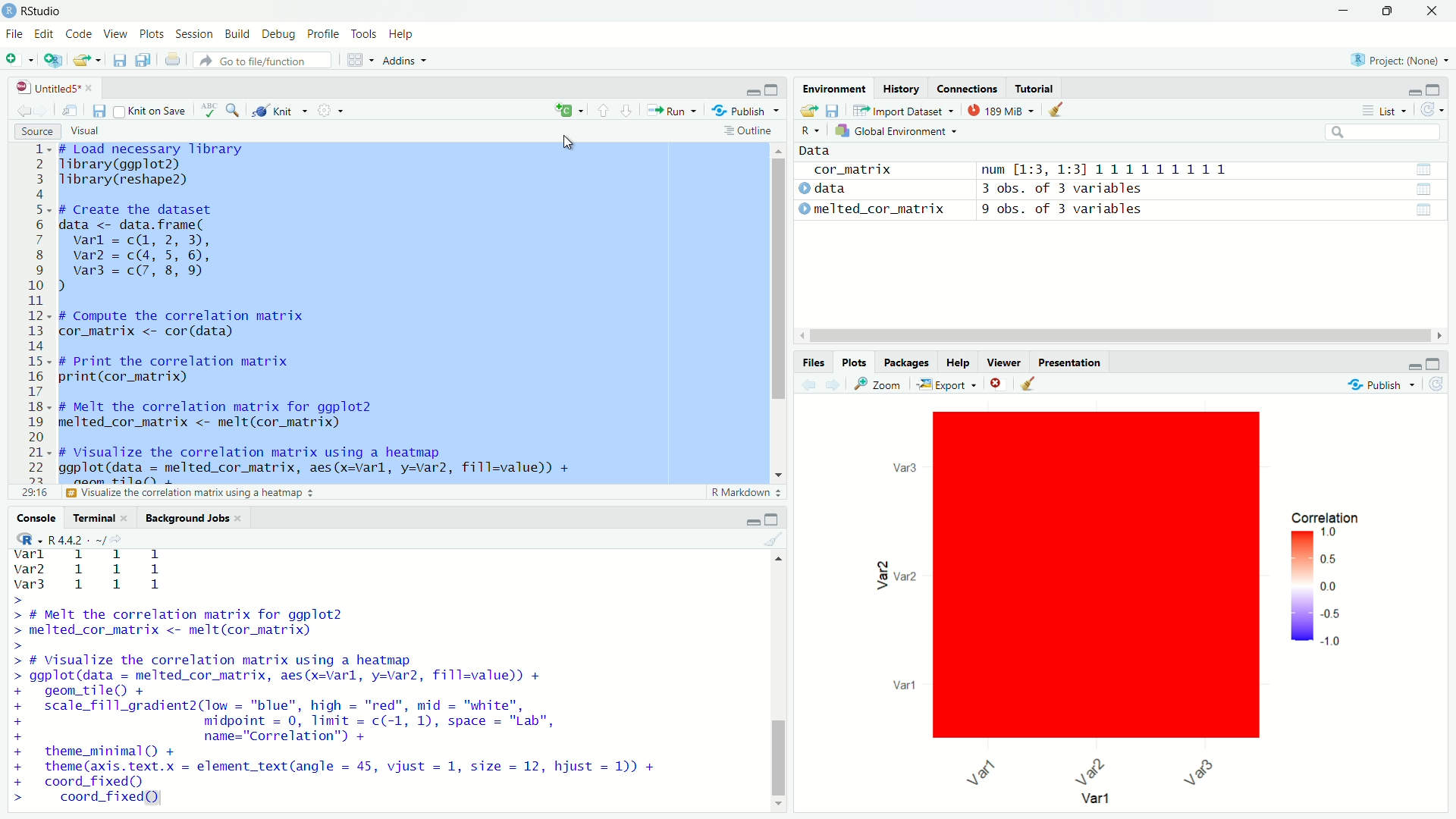 This screenshot has width=1456, height=819. What do you see at coordinates (119, 60) in the screenshot?
I see `save current file` at bounding box center [119, 60].